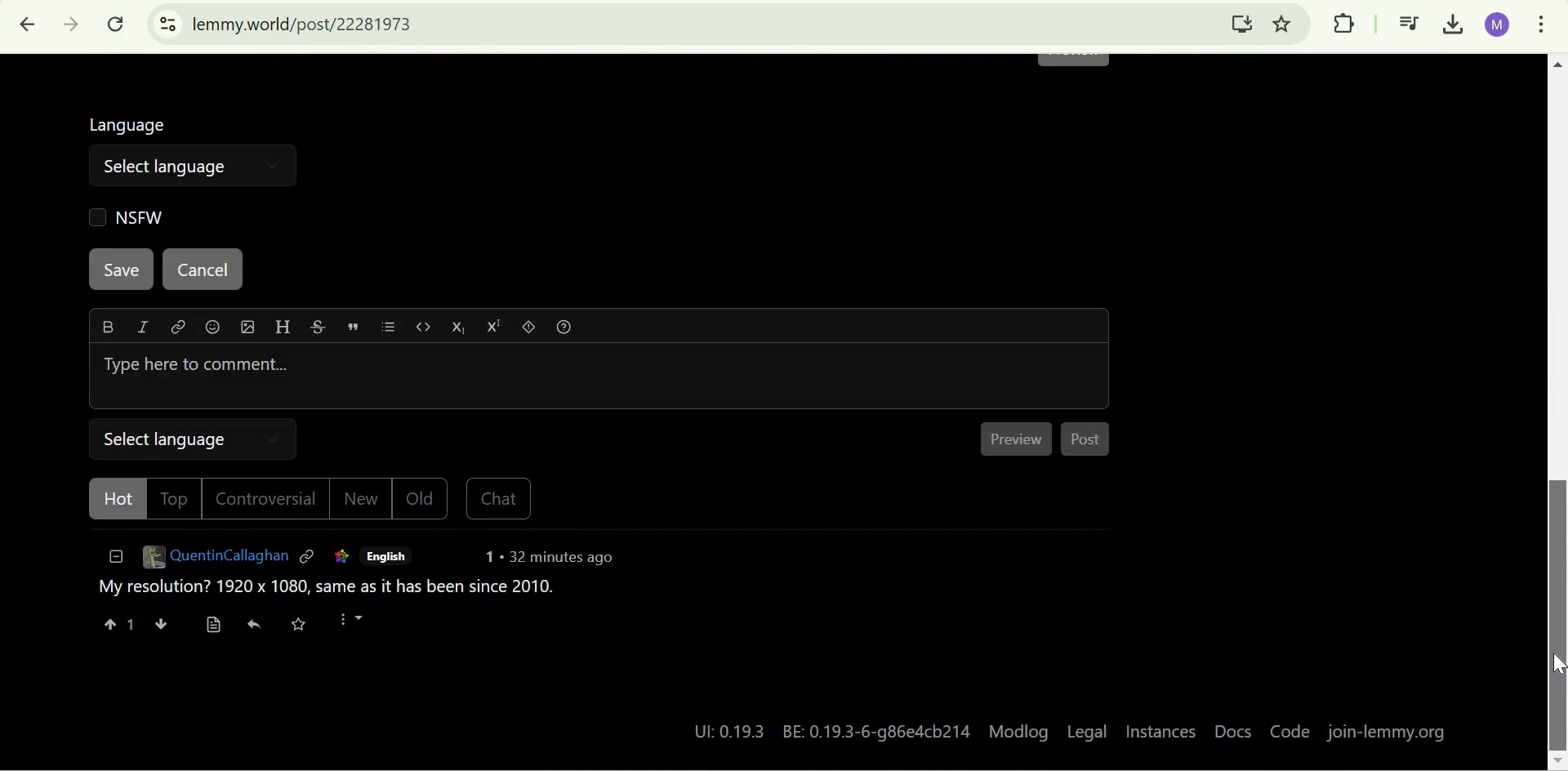  Describe the element at coordinates (339, 558) in the screenshot. I see `link` at that location.